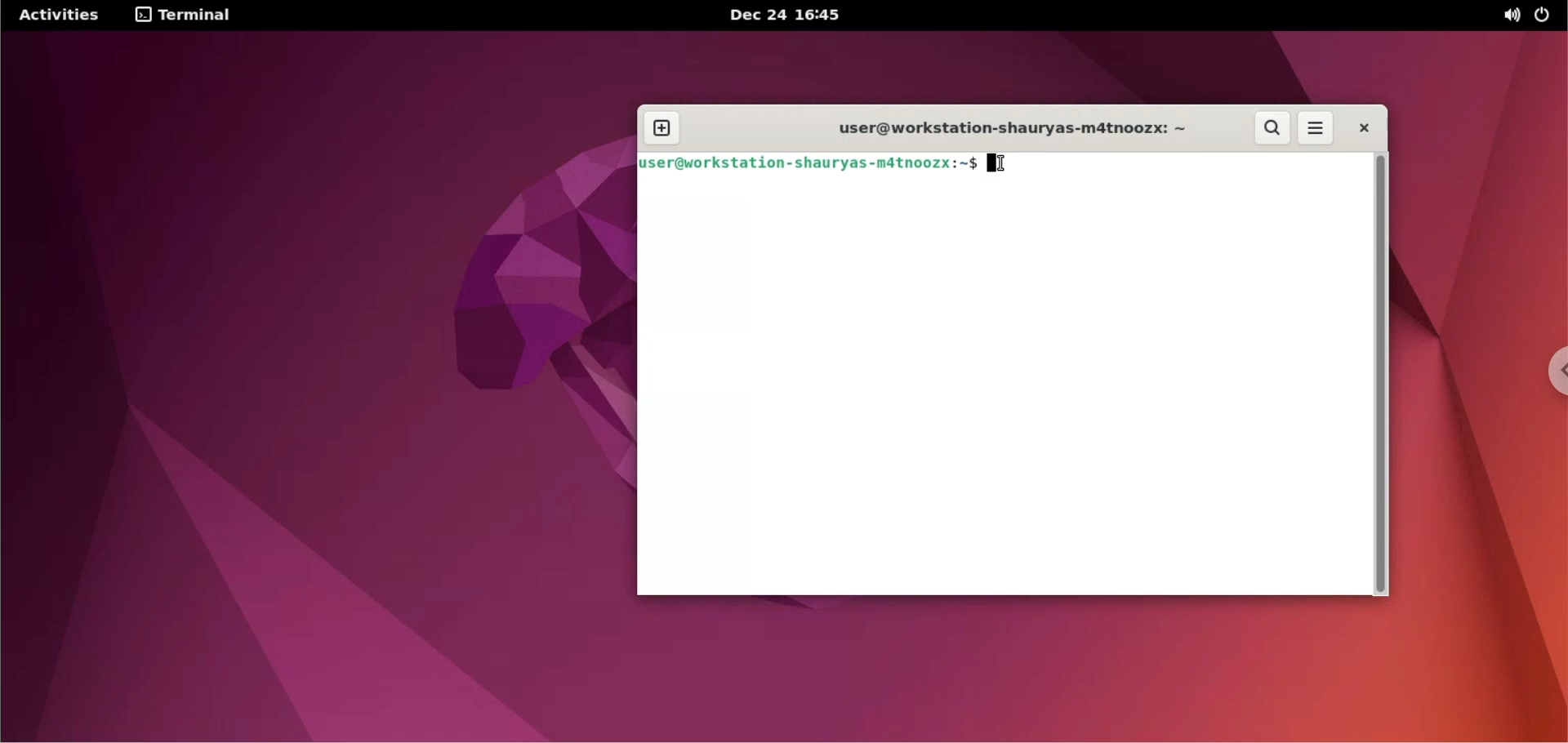 The height and width of the screenshot is (743, 1568). Describe the element at coordinates (1205, 165) in the screenshot. I see `terminal command input box` at that location.